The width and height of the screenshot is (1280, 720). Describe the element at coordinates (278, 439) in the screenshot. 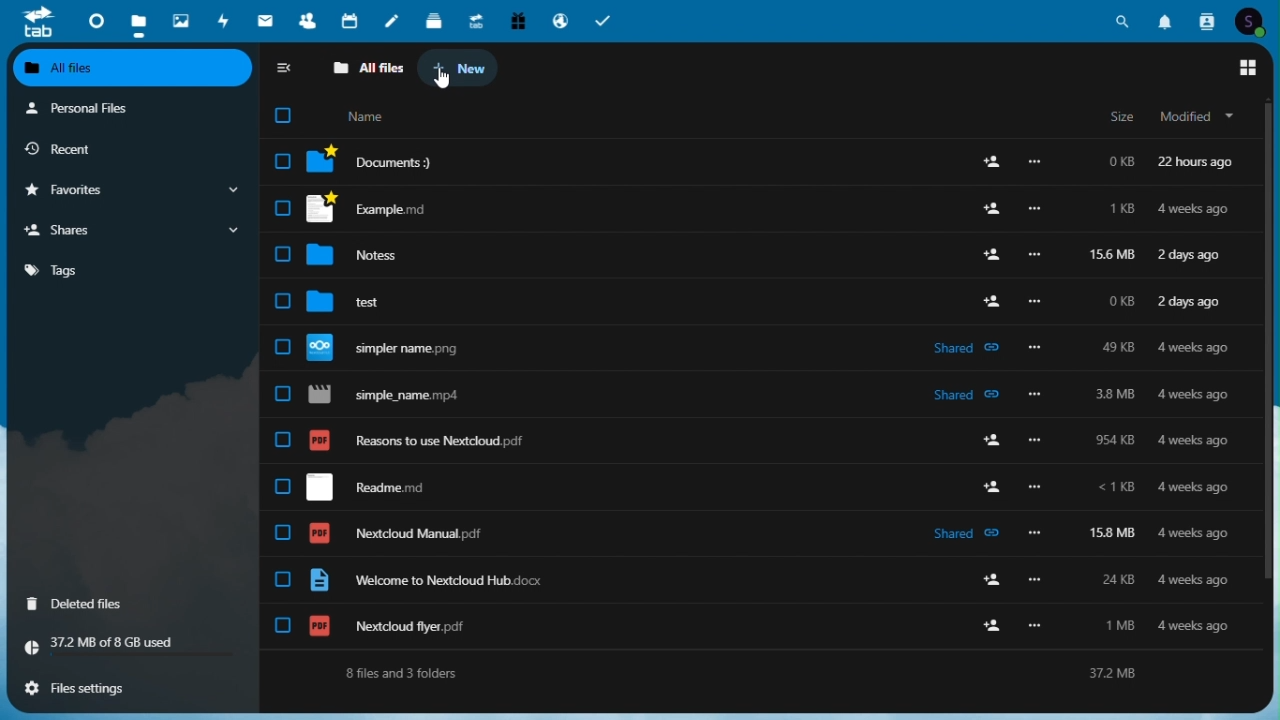

I see `check box` at that location.